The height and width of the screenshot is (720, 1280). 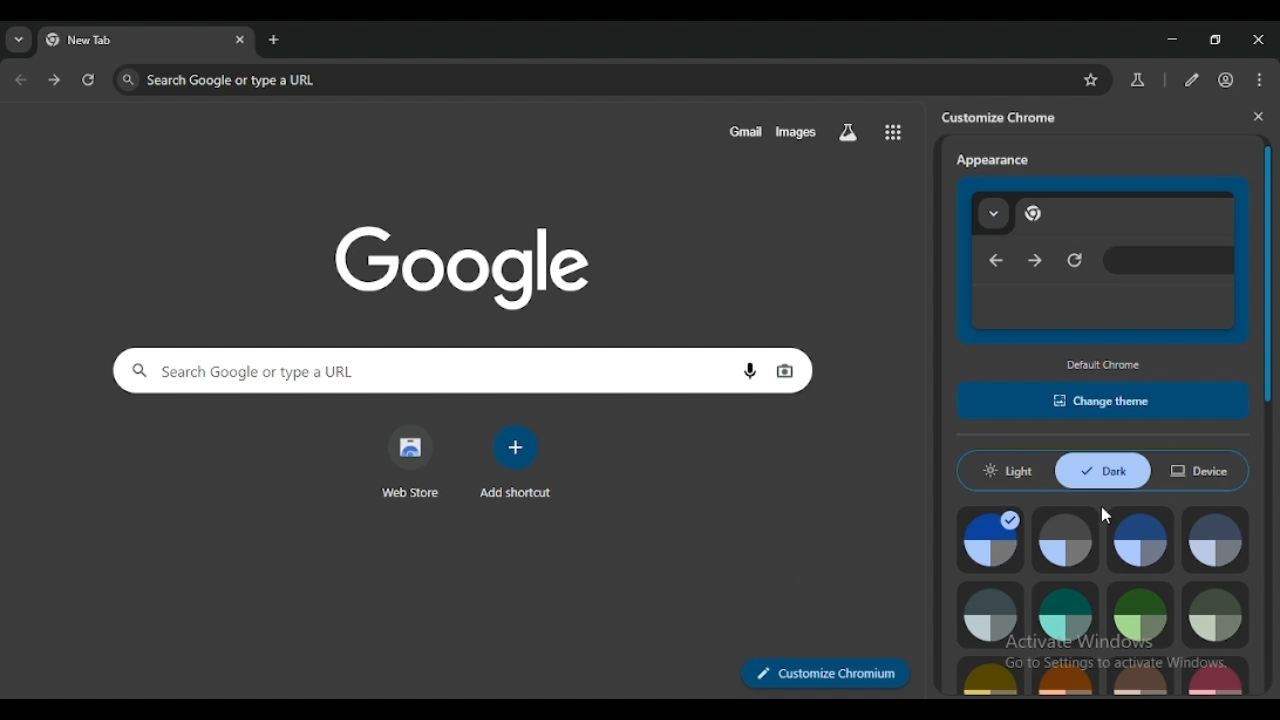 What do you see at coordinates (1218, 41) in the screenshot?
I see `maximize` at bounding box center [1218, 41].